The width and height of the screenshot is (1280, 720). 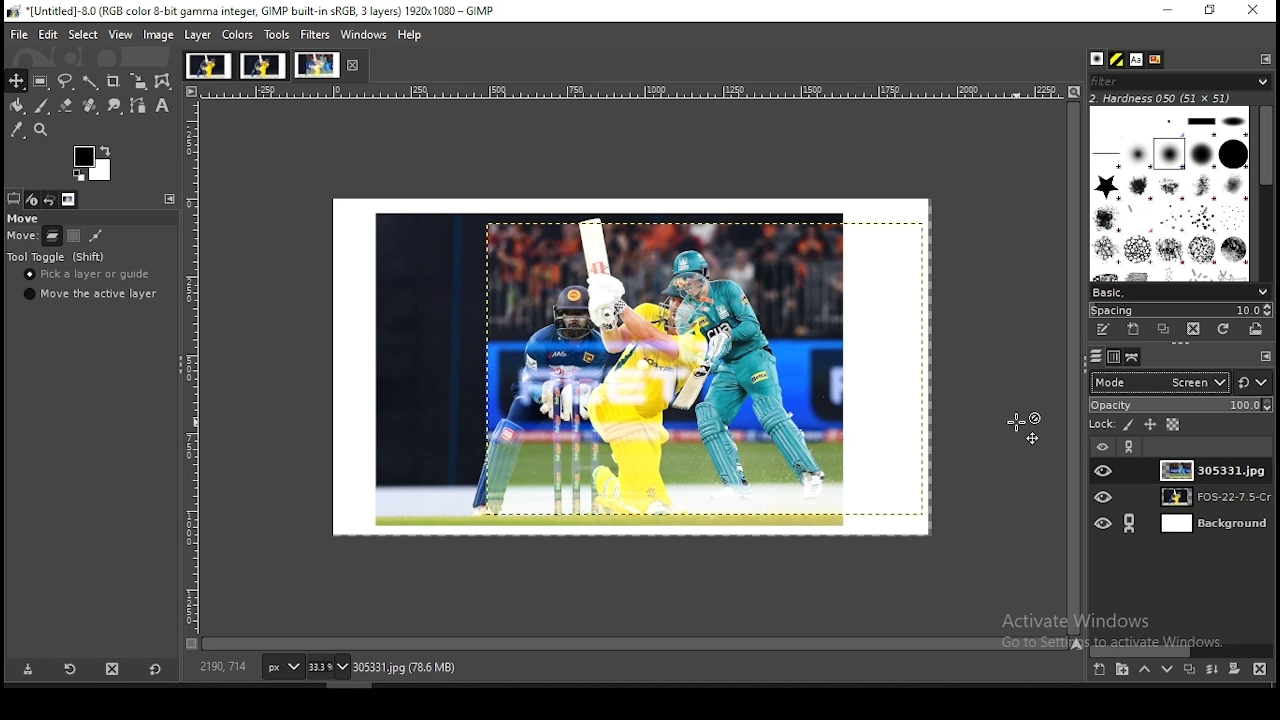 I want to click on duplicate this brush, so click(x=1165, y=329).